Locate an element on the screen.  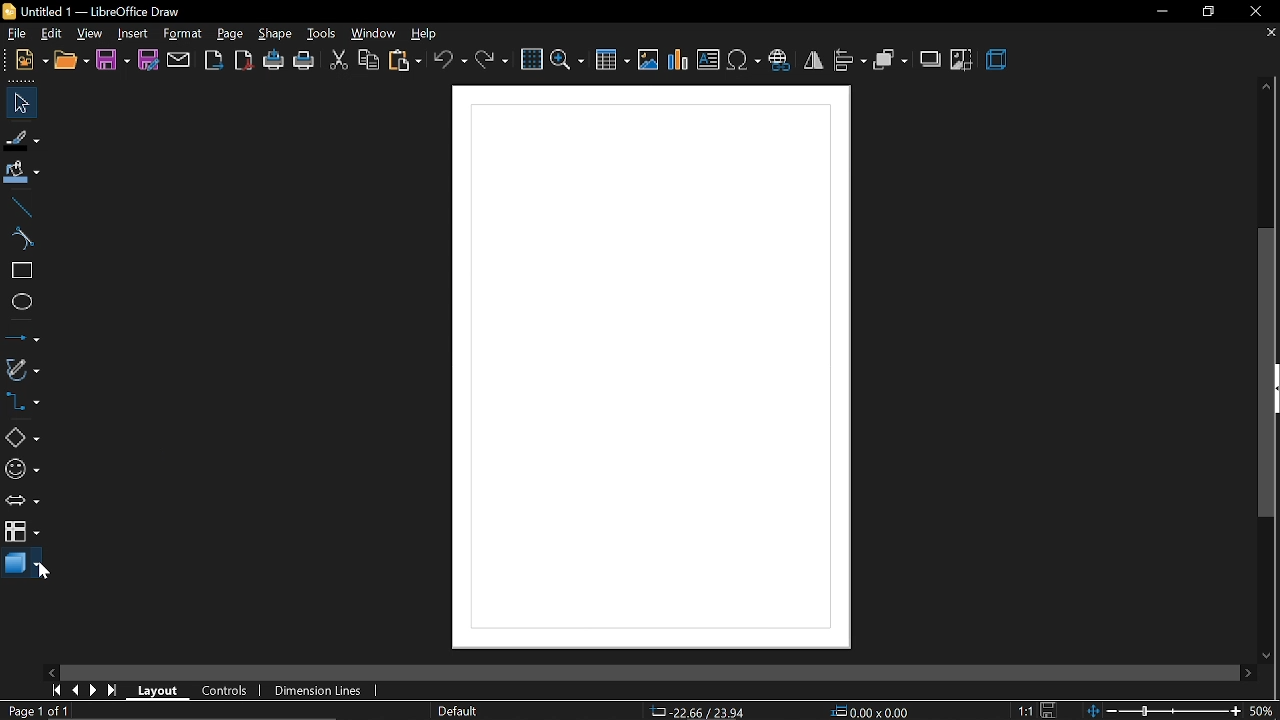
controls is located at coordinates (227, 691).